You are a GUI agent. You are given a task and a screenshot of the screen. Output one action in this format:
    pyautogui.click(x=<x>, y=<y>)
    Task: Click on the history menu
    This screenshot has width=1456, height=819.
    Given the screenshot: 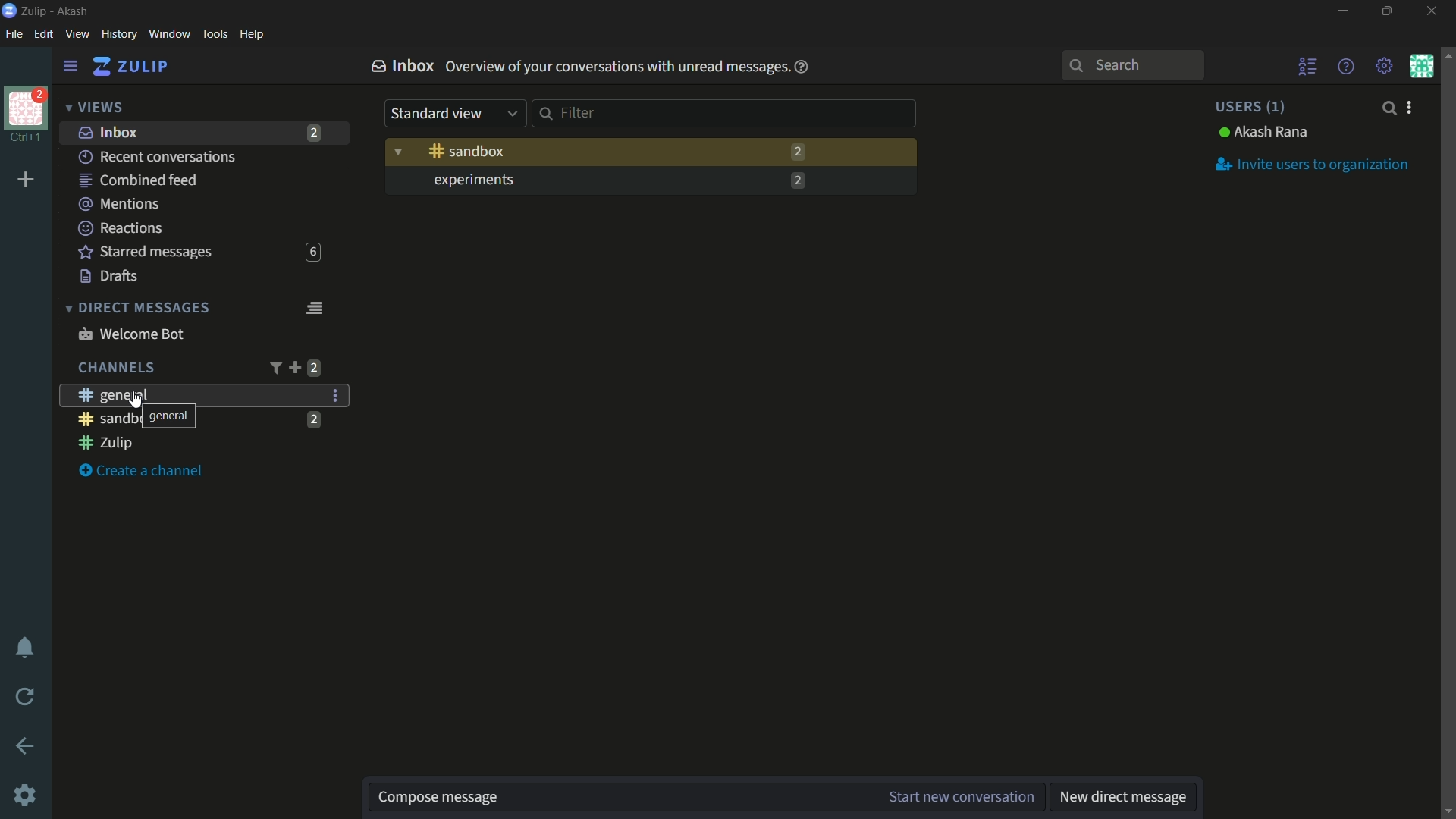 What is the action you would take?
    pyautogui.click(x=119, y=33)
    